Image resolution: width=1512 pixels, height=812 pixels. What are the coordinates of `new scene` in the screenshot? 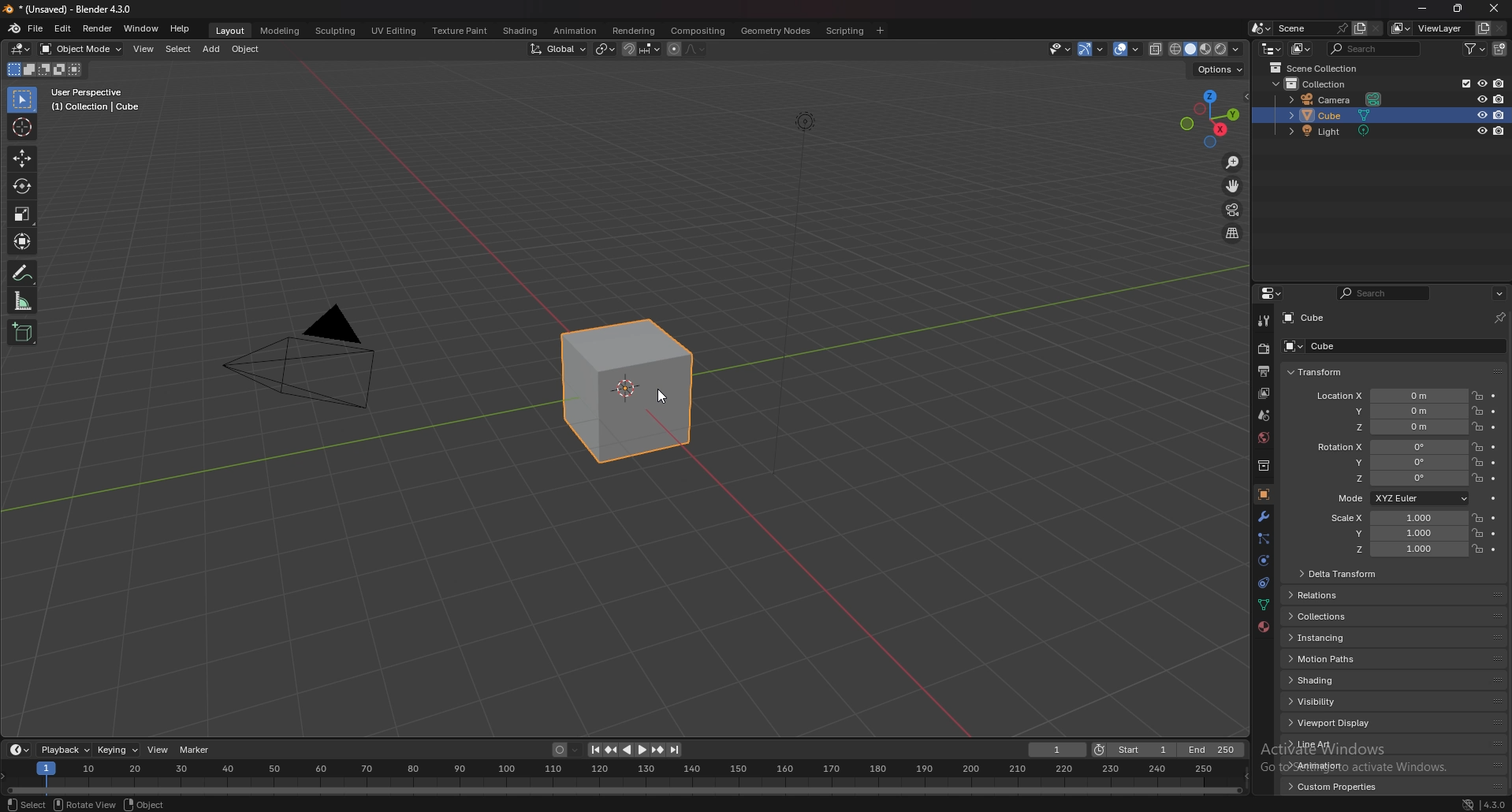 It's located at (1360, 28).